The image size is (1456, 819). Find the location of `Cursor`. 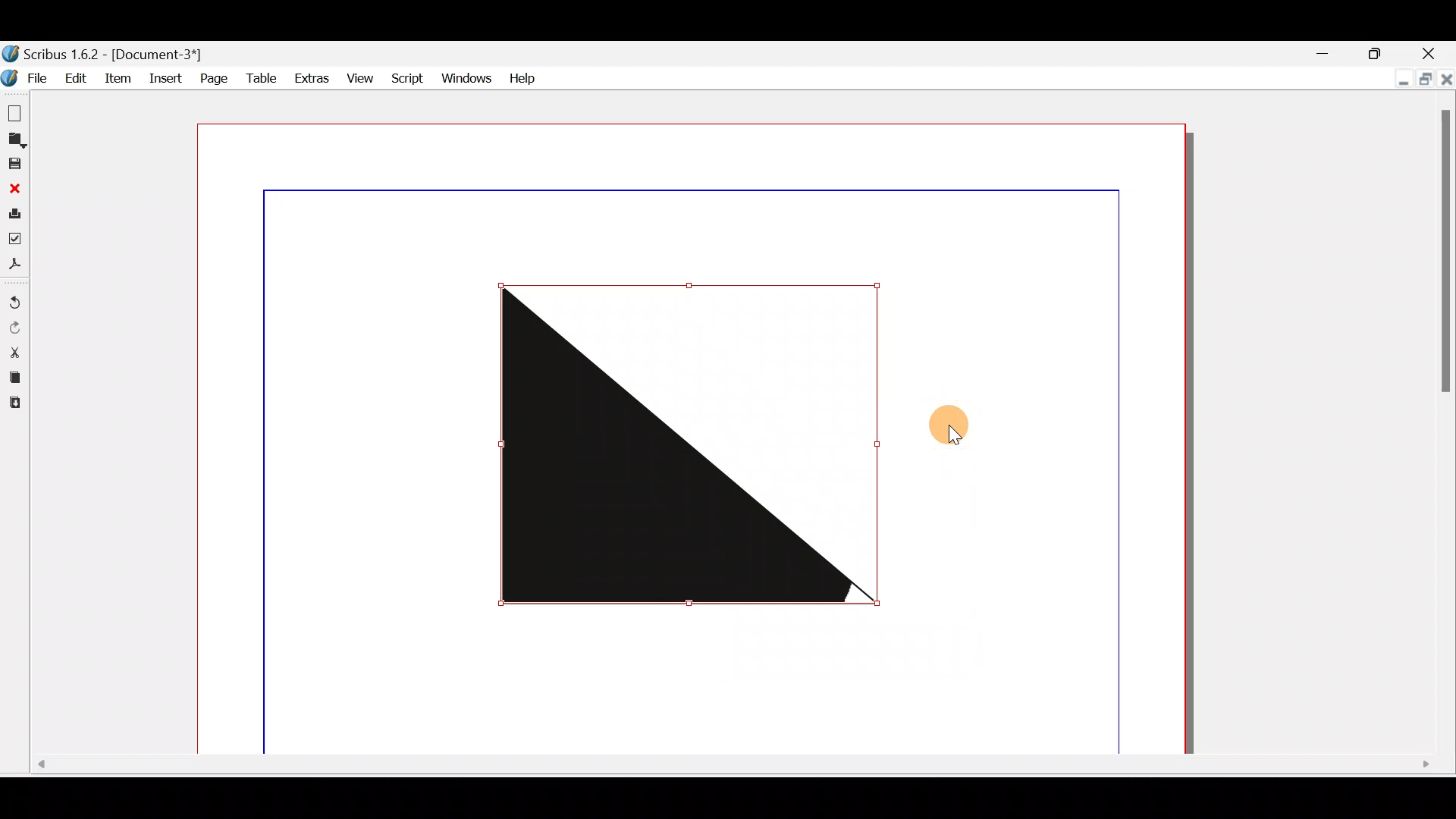

Cursor is located at coordinates (957, 431).